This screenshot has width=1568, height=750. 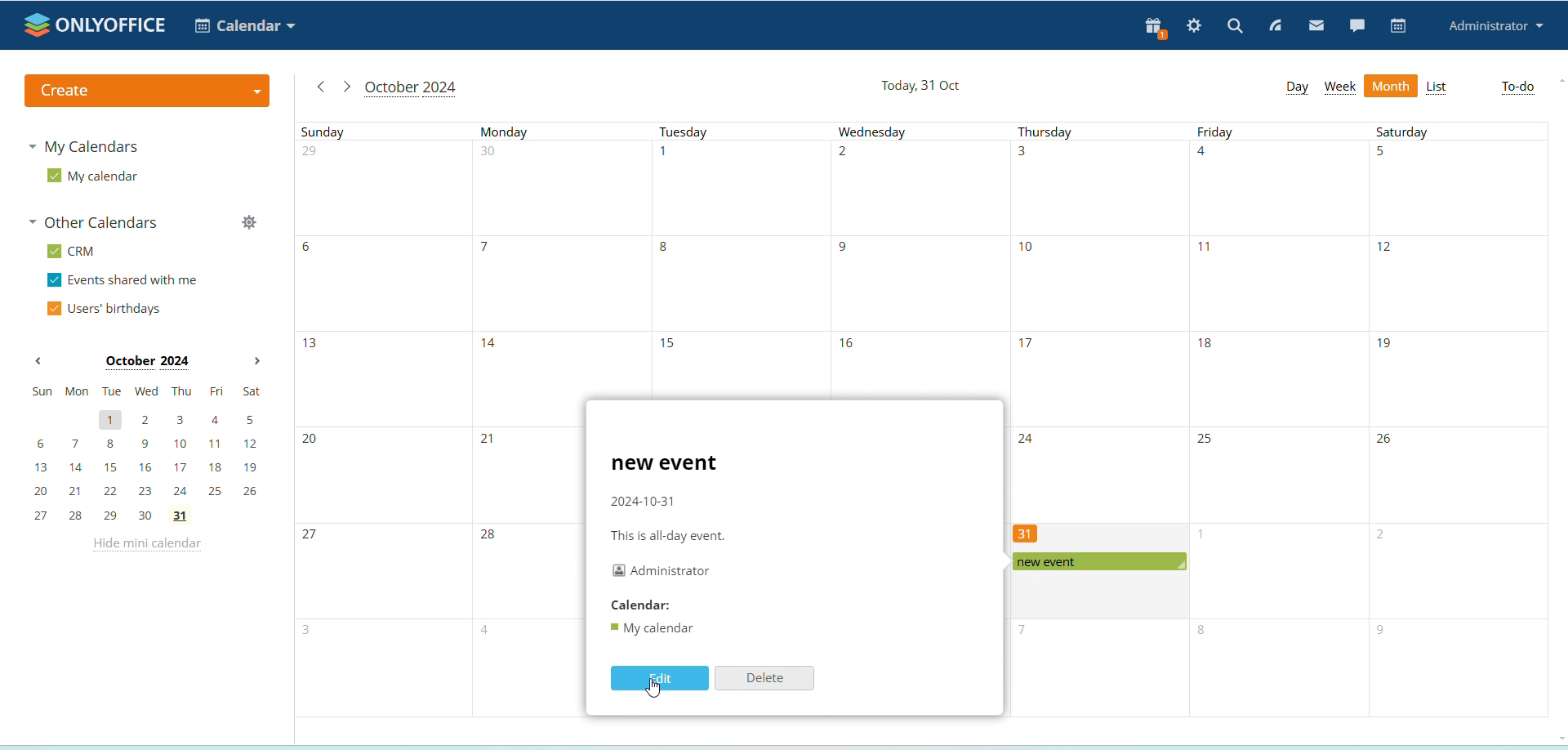 I want to click on go to next month, so click(x=345, y=87).